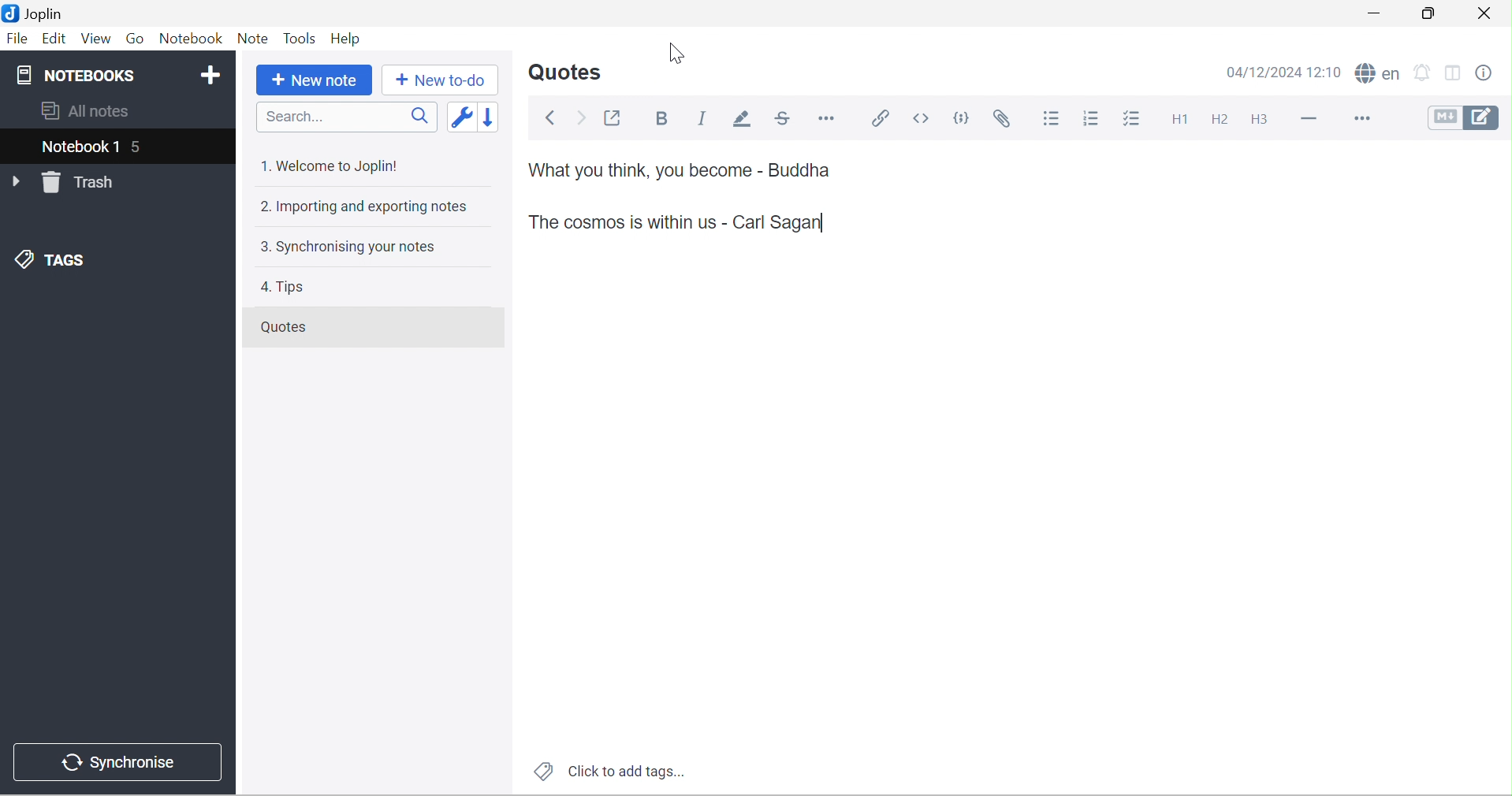  I want to click on Checkbox list, so click(1130, 118).